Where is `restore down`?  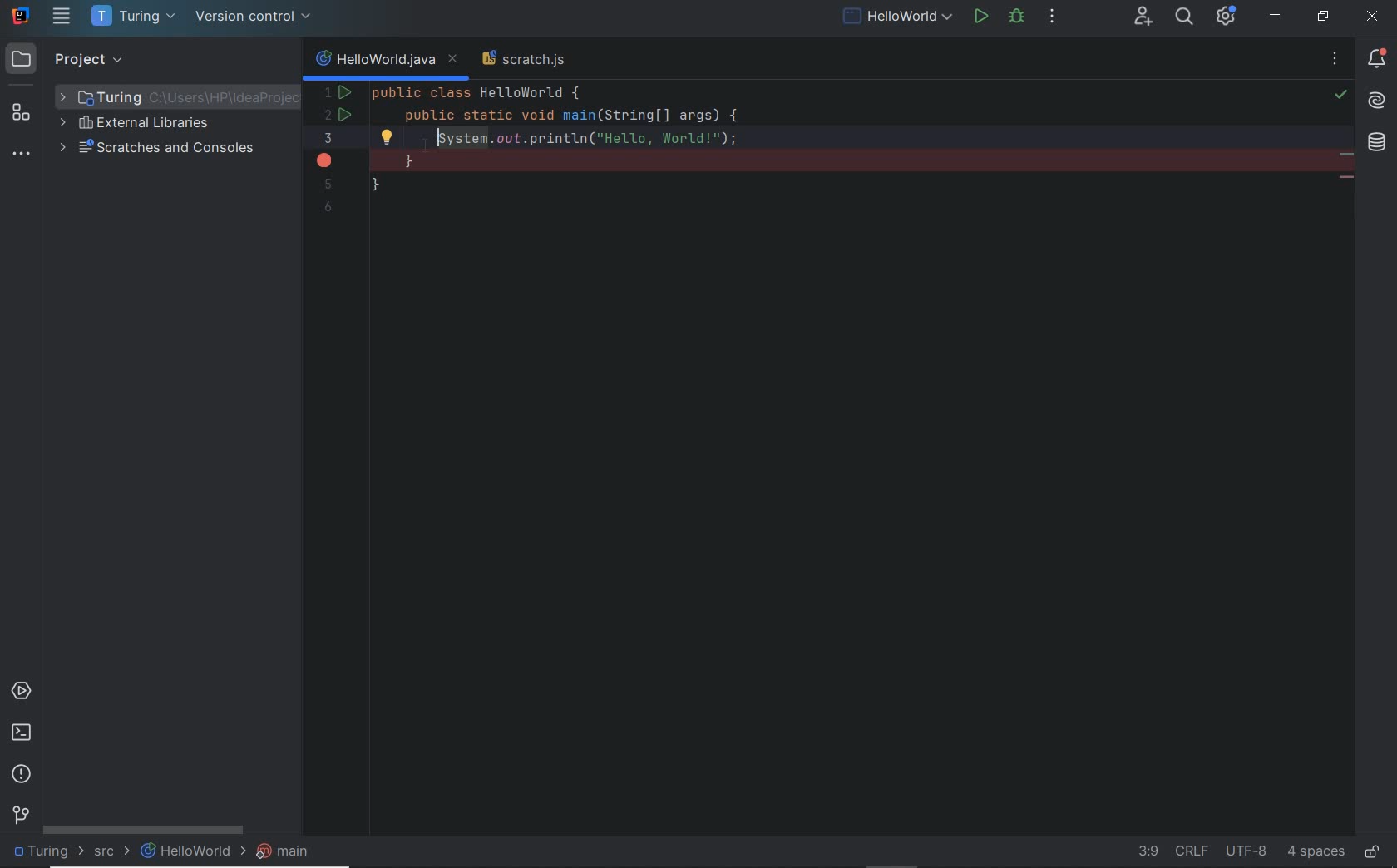 restore down is located at coordinates (1321, 15).